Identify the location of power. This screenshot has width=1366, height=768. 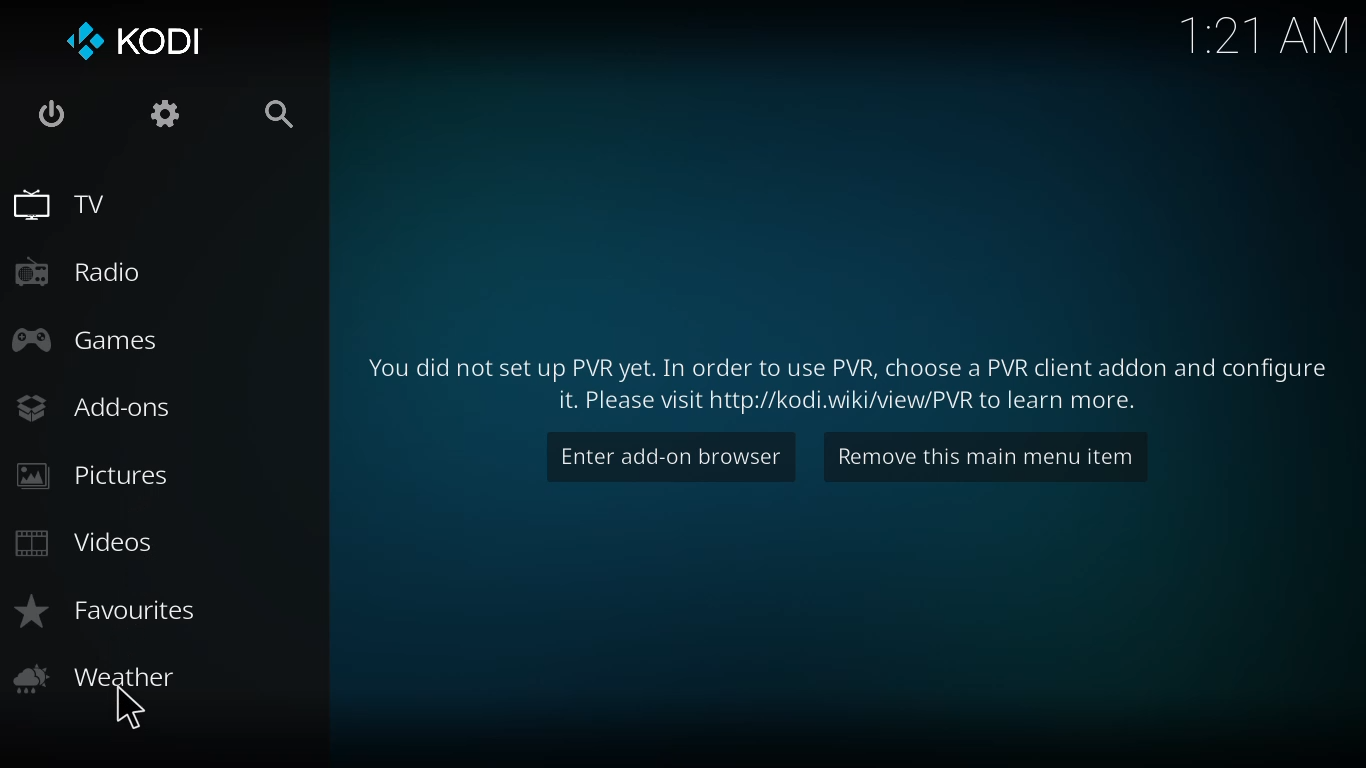
(47, 114).